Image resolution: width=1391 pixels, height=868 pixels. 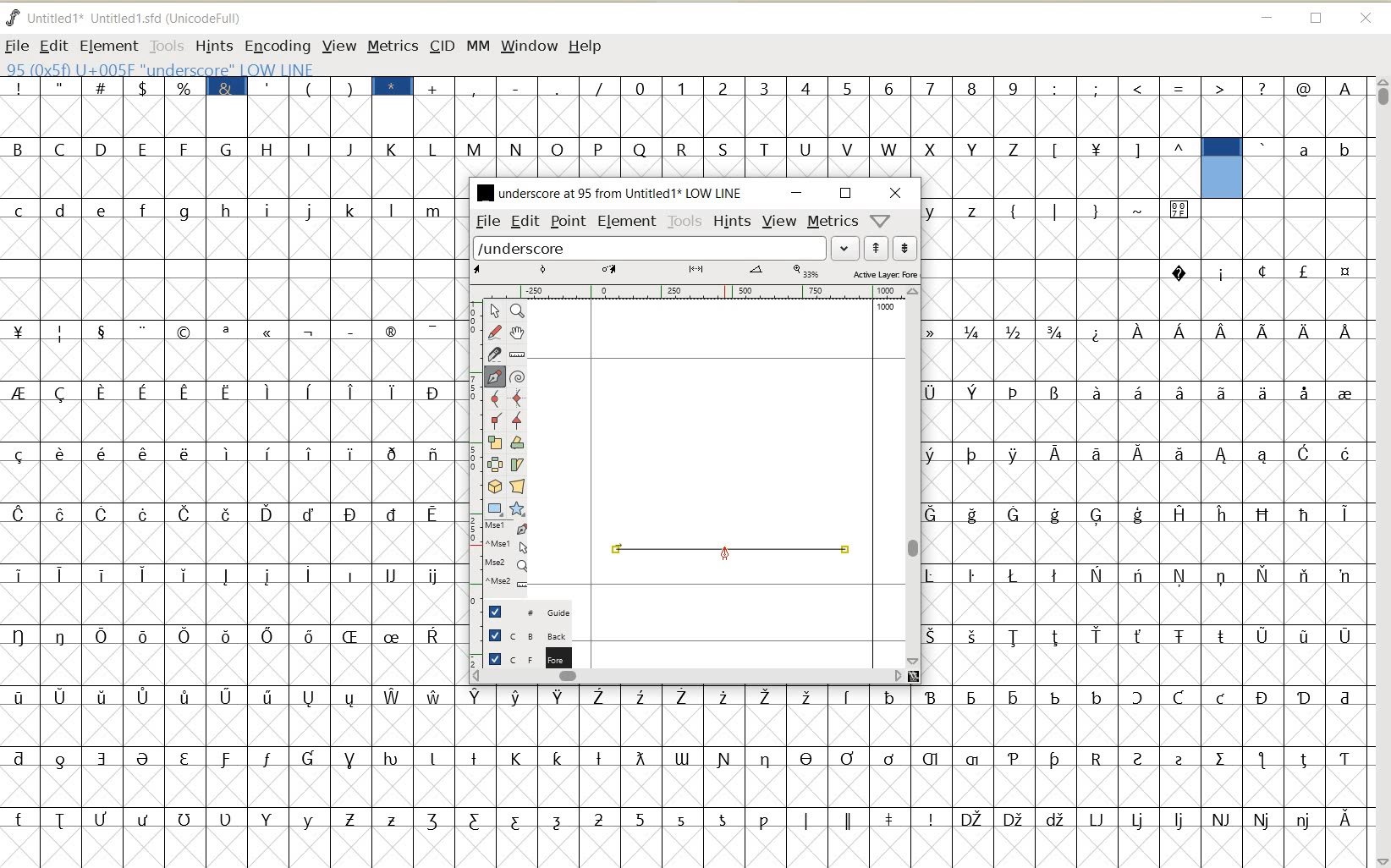 What do you see at coordinates (493, 442) in the screenshot?
I see `scale the selection` at bounding box center [493, 442].